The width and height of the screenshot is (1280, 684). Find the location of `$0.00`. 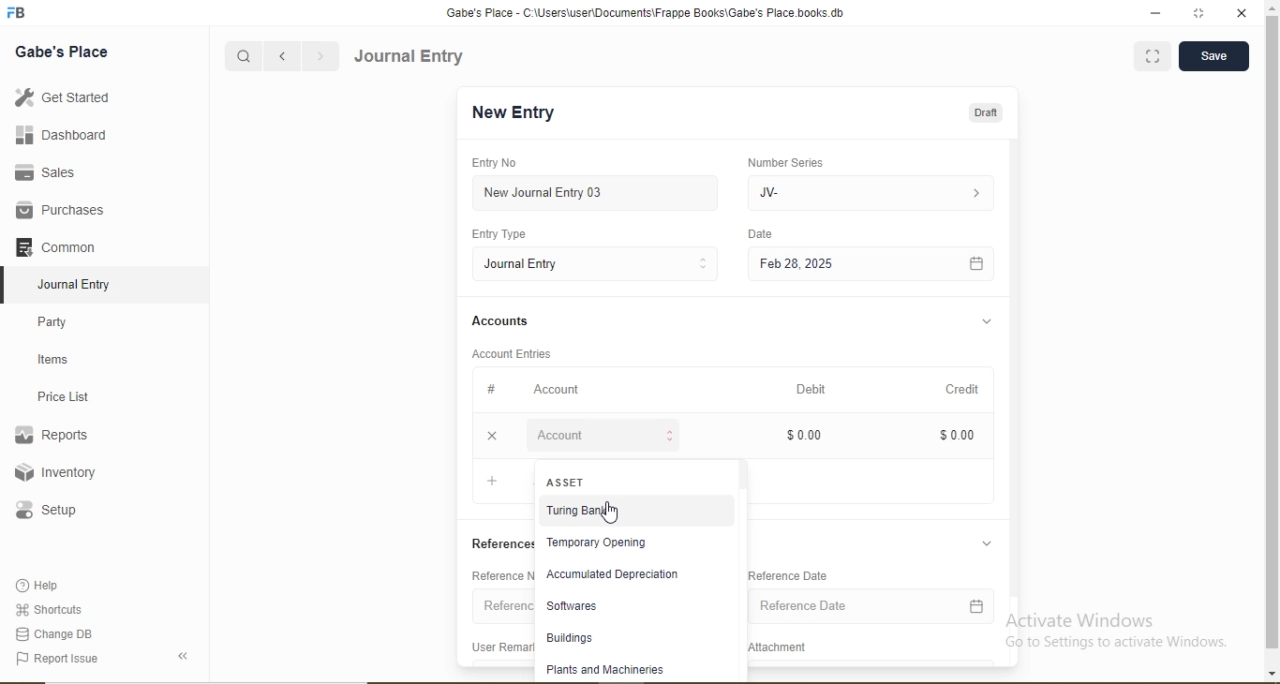

$0.00 is located at coordinates (806, 435).